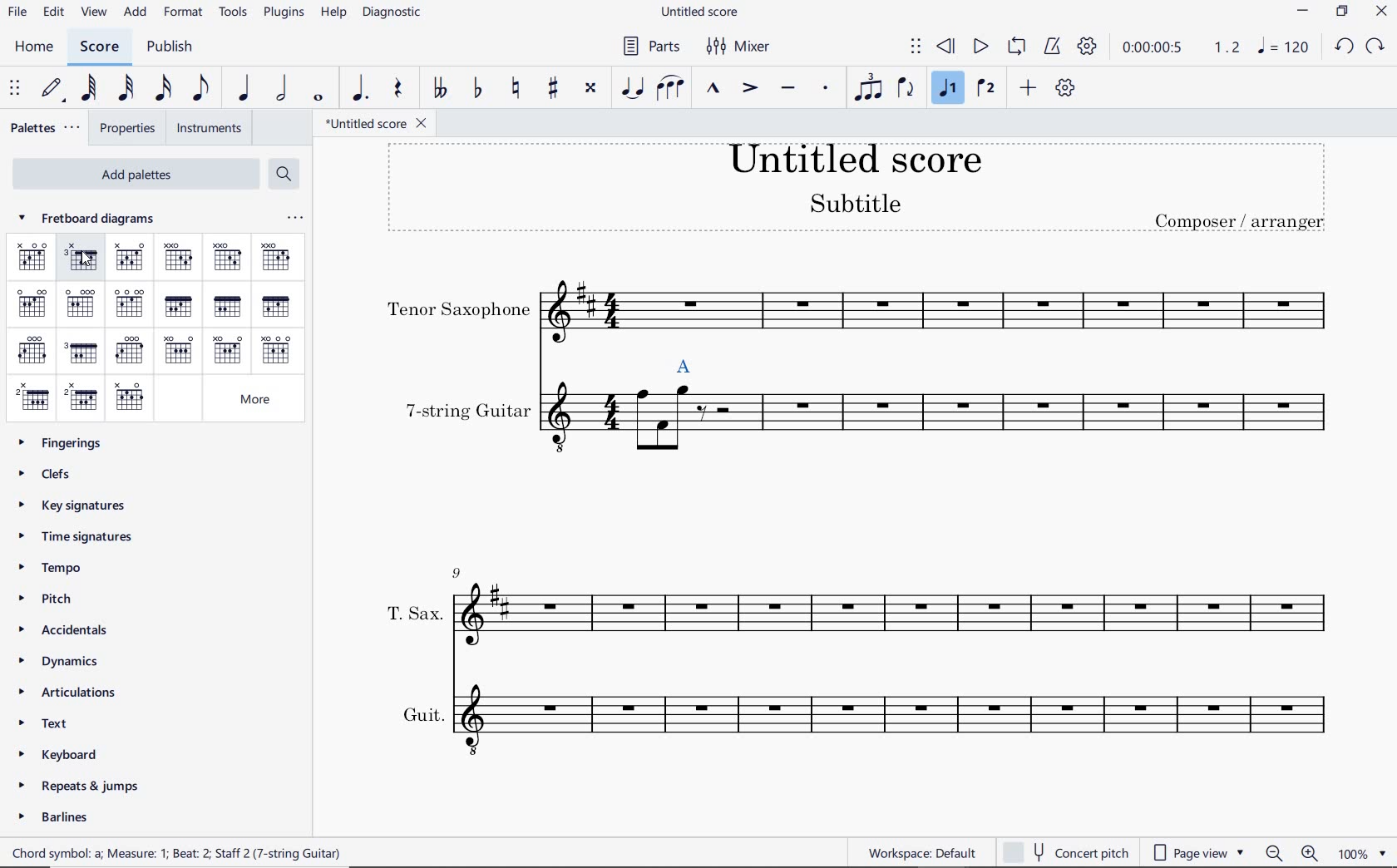 Image resolution: width=1397 pixels, height=868 pixels. I want to click on EDIT, so click(52, 11).